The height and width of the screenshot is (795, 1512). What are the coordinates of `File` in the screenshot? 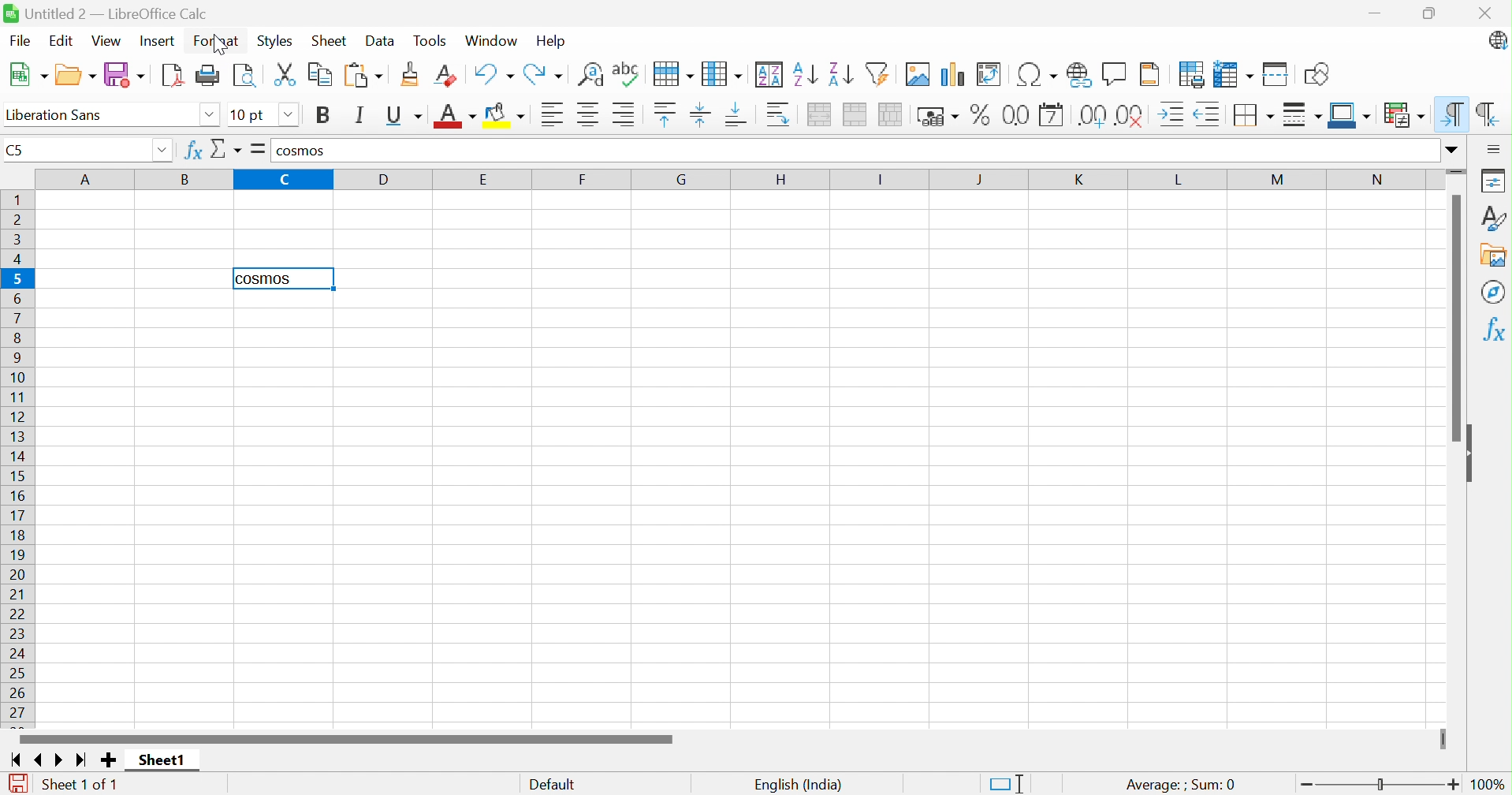 It's located at (21, 39).